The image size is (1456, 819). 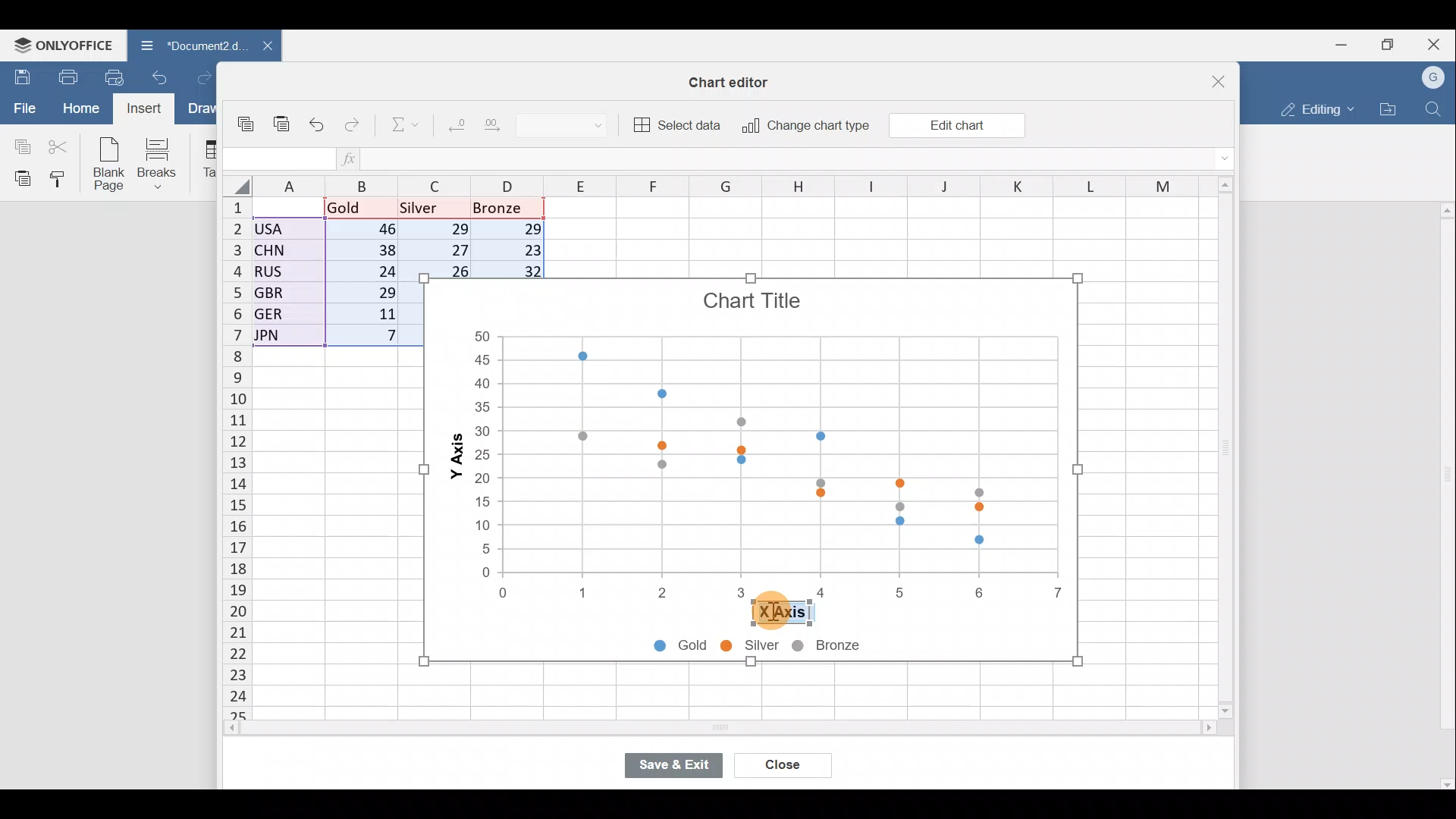 I want to click on Chart image, so click(x=749, y=434).